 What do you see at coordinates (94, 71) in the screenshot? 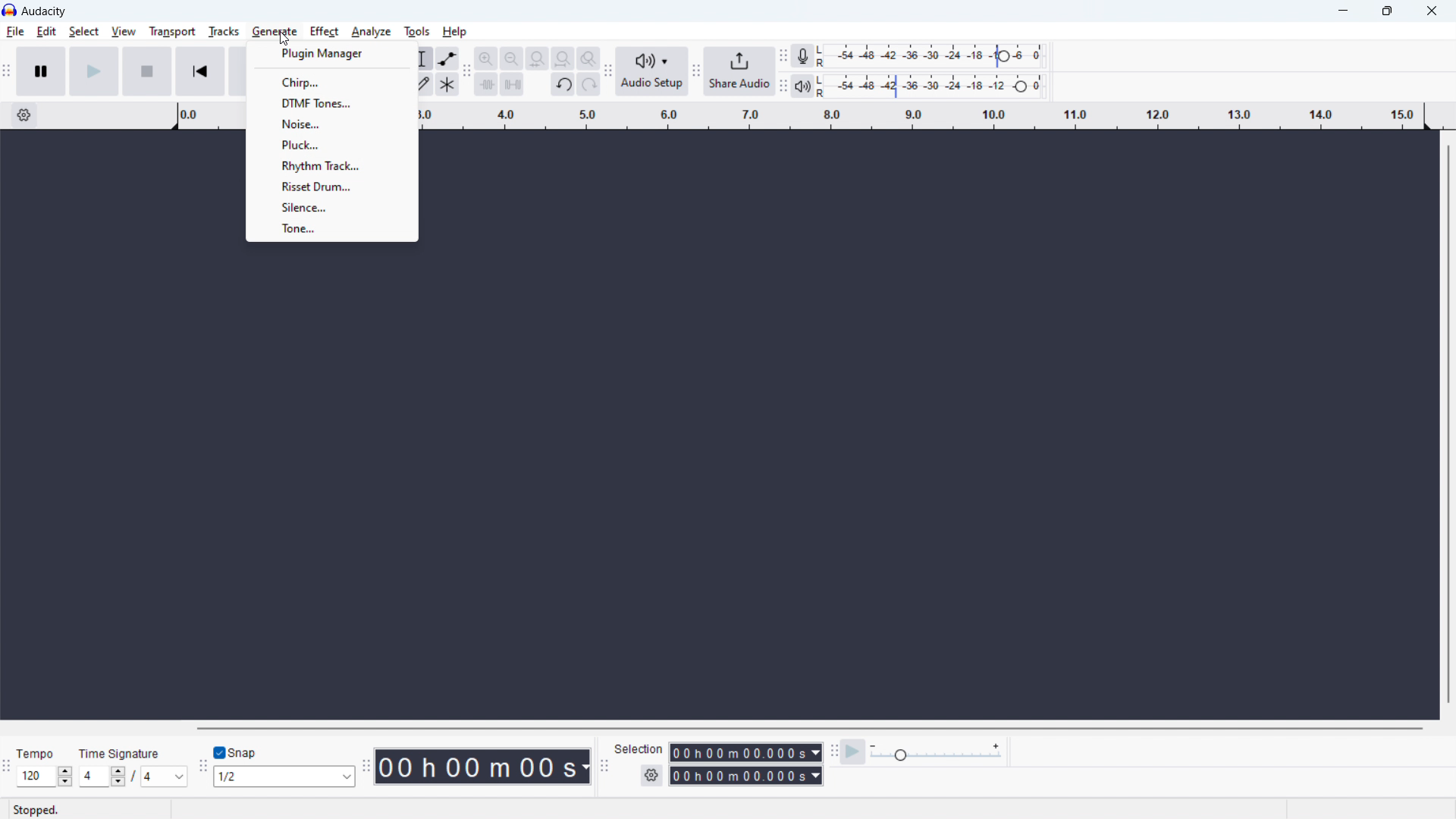
I see `play` at bounding box center [94, 71].